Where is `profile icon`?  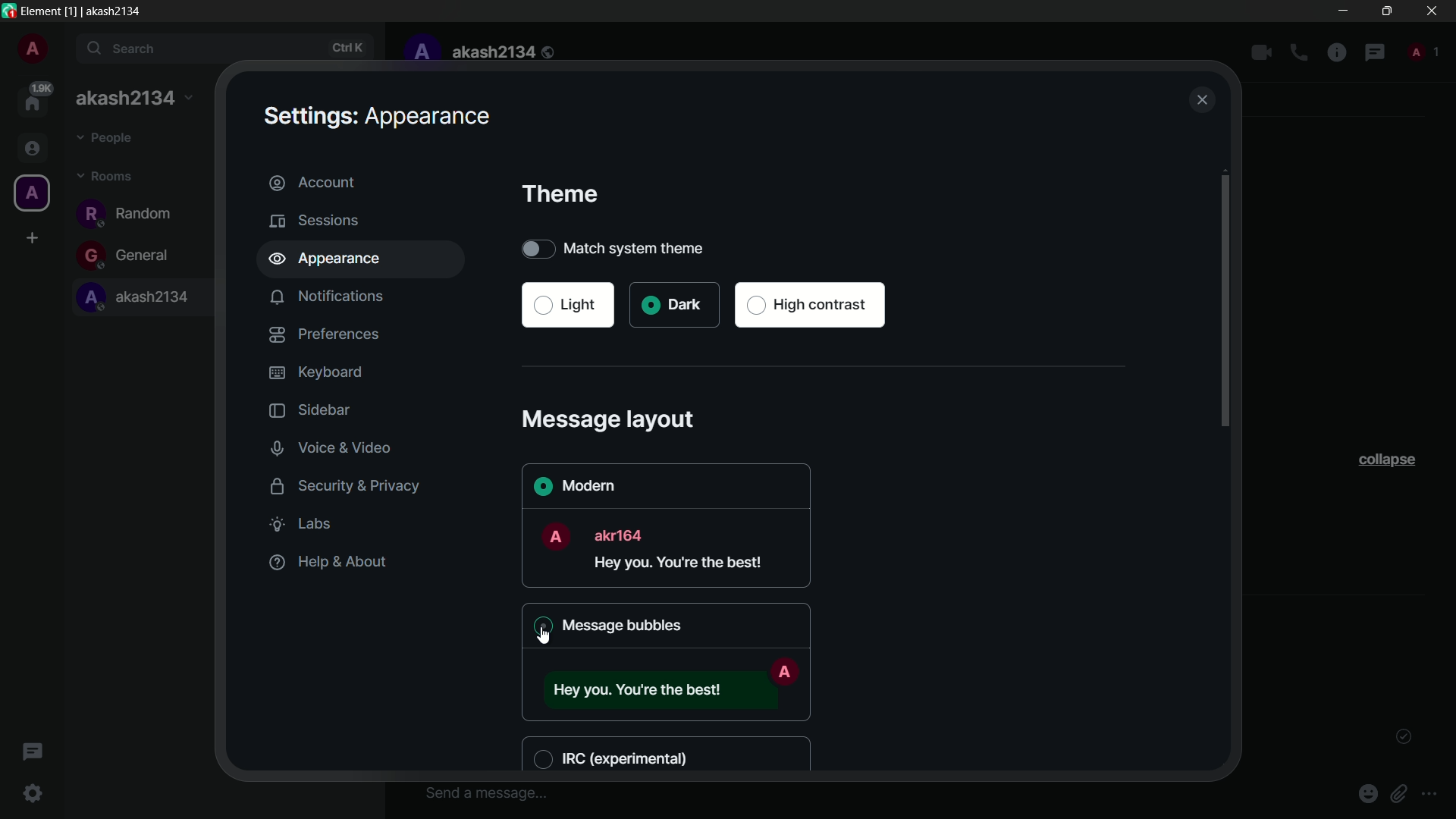 profile icon is located at coordinates (30, 193).